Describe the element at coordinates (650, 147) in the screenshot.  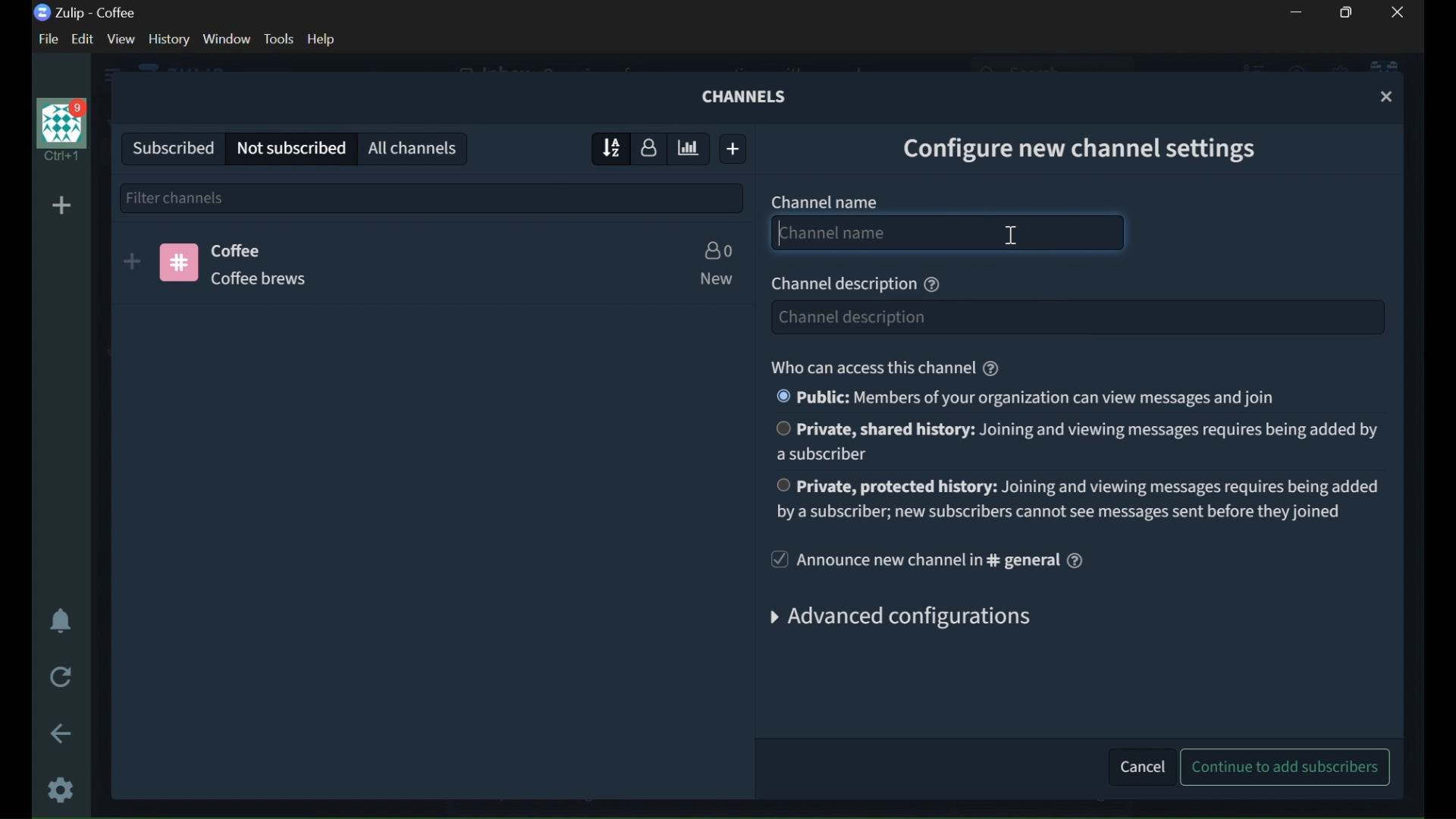
I see `SORT BY NUMBER` at that location.